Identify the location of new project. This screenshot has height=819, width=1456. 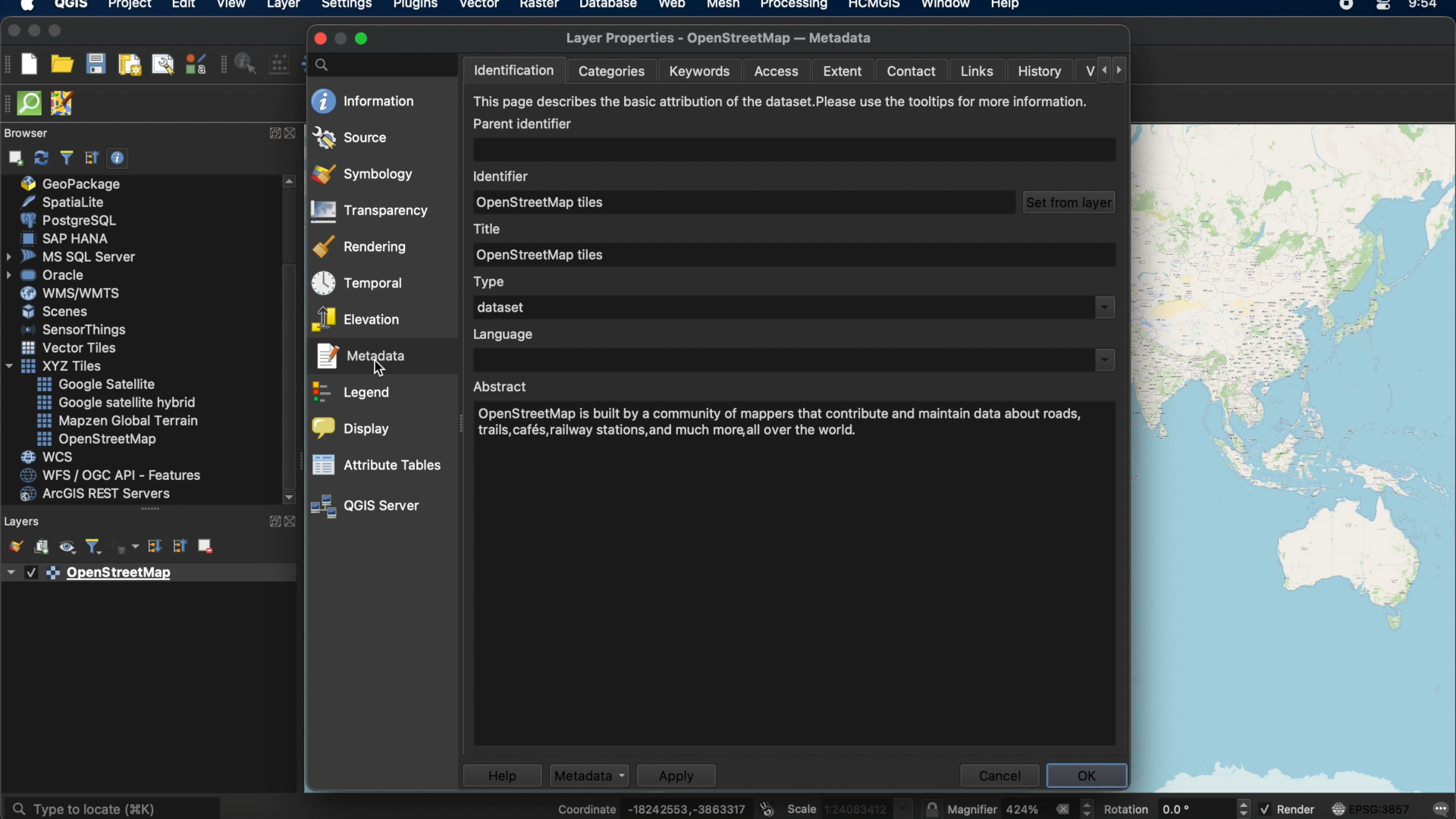
(31, 64).